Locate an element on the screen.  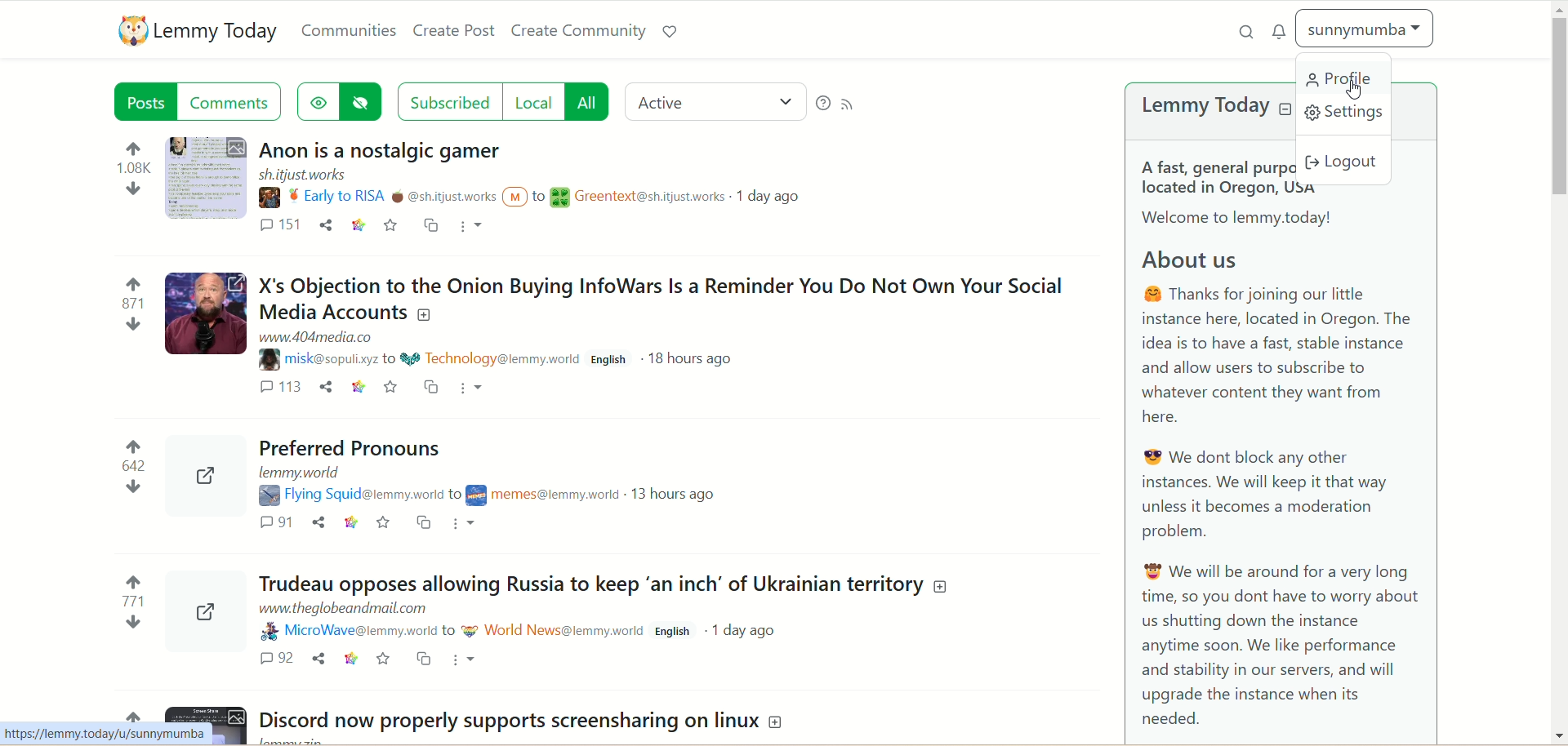
Favorites is located at coordinates (384, 522).